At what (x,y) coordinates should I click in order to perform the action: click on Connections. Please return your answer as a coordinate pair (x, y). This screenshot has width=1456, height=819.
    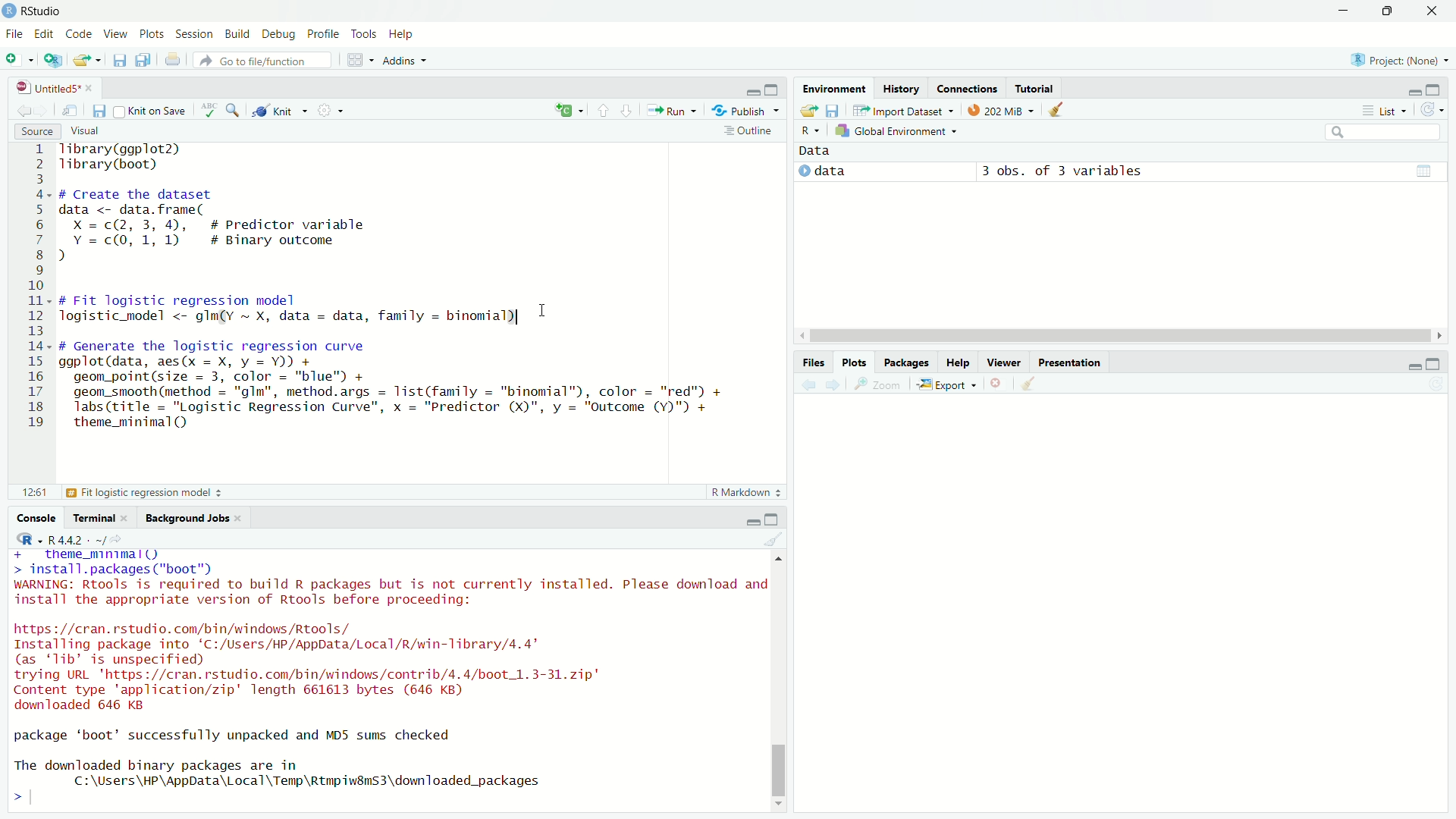
    Looking at the image, I should click on (967, 88).